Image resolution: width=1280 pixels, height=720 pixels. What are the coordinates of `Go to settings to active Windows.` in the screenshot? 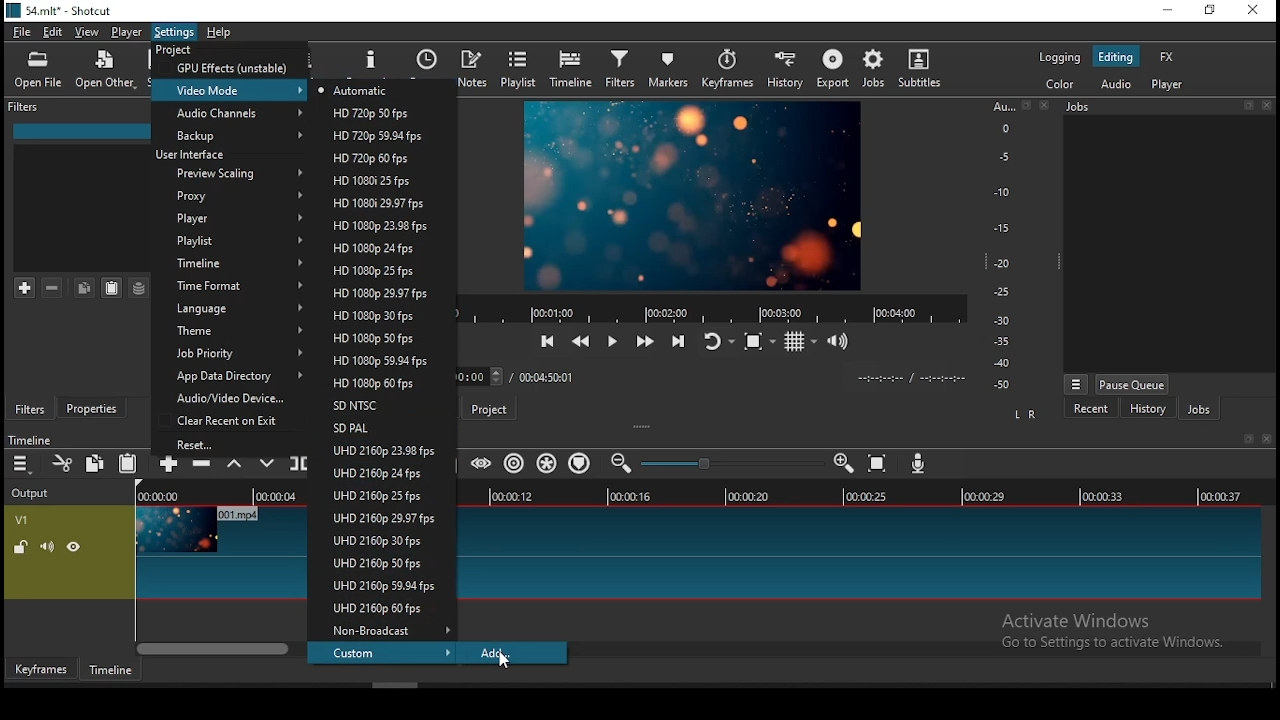 It's located at (1111, 646).